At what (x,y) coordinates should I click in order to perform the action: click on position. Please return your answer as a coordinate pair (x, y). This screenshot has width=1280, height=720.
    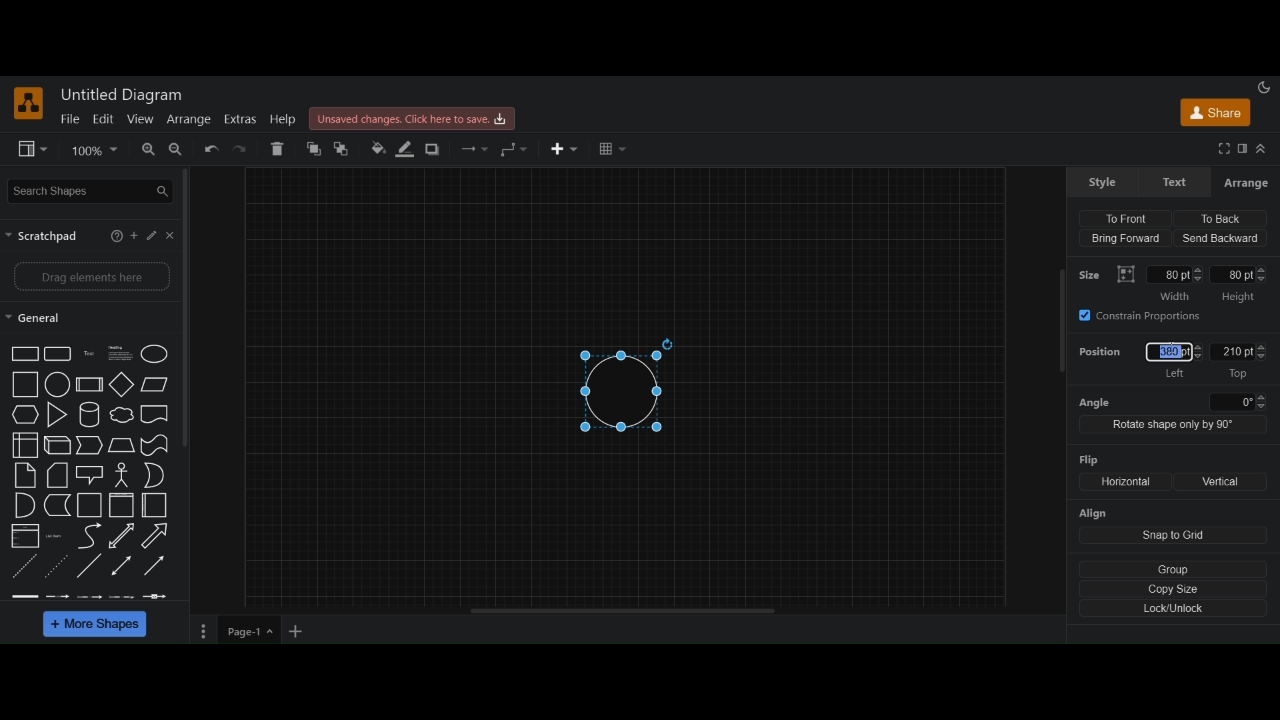
    Looking at the image, I should click on (1102, 355).